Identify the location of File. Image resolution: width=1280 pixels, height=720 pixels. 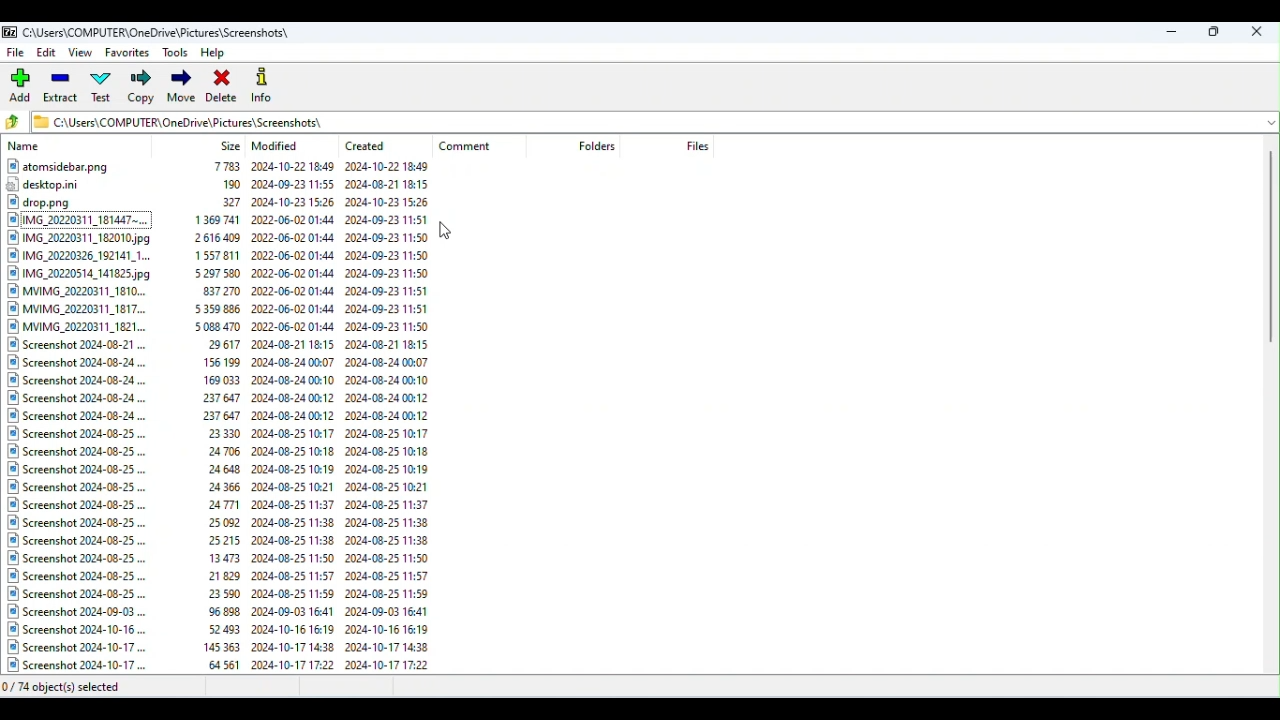
(17, 52).